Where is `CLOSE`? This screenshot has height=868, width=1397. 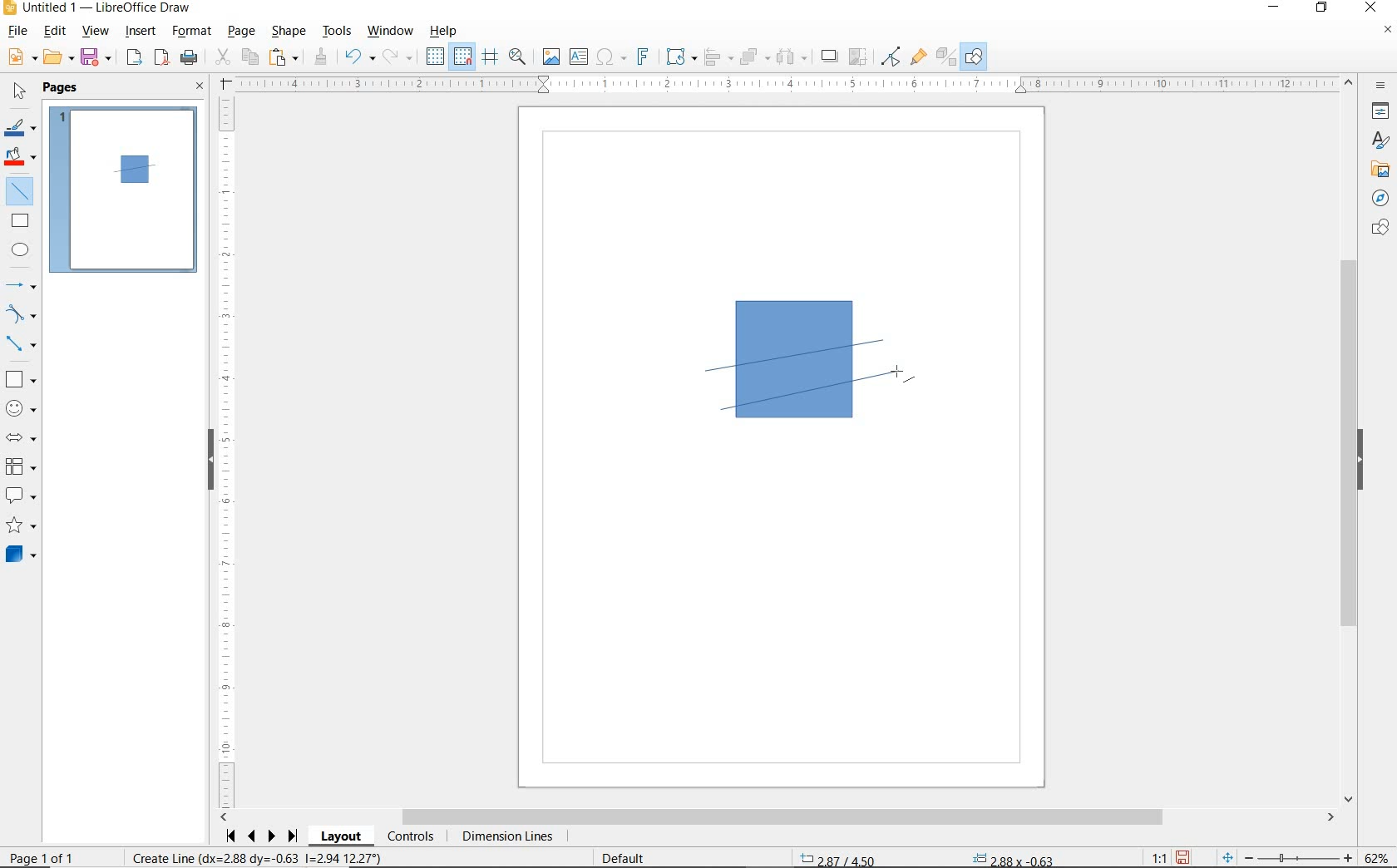
CLOSE is located at coordinates (200, 87).